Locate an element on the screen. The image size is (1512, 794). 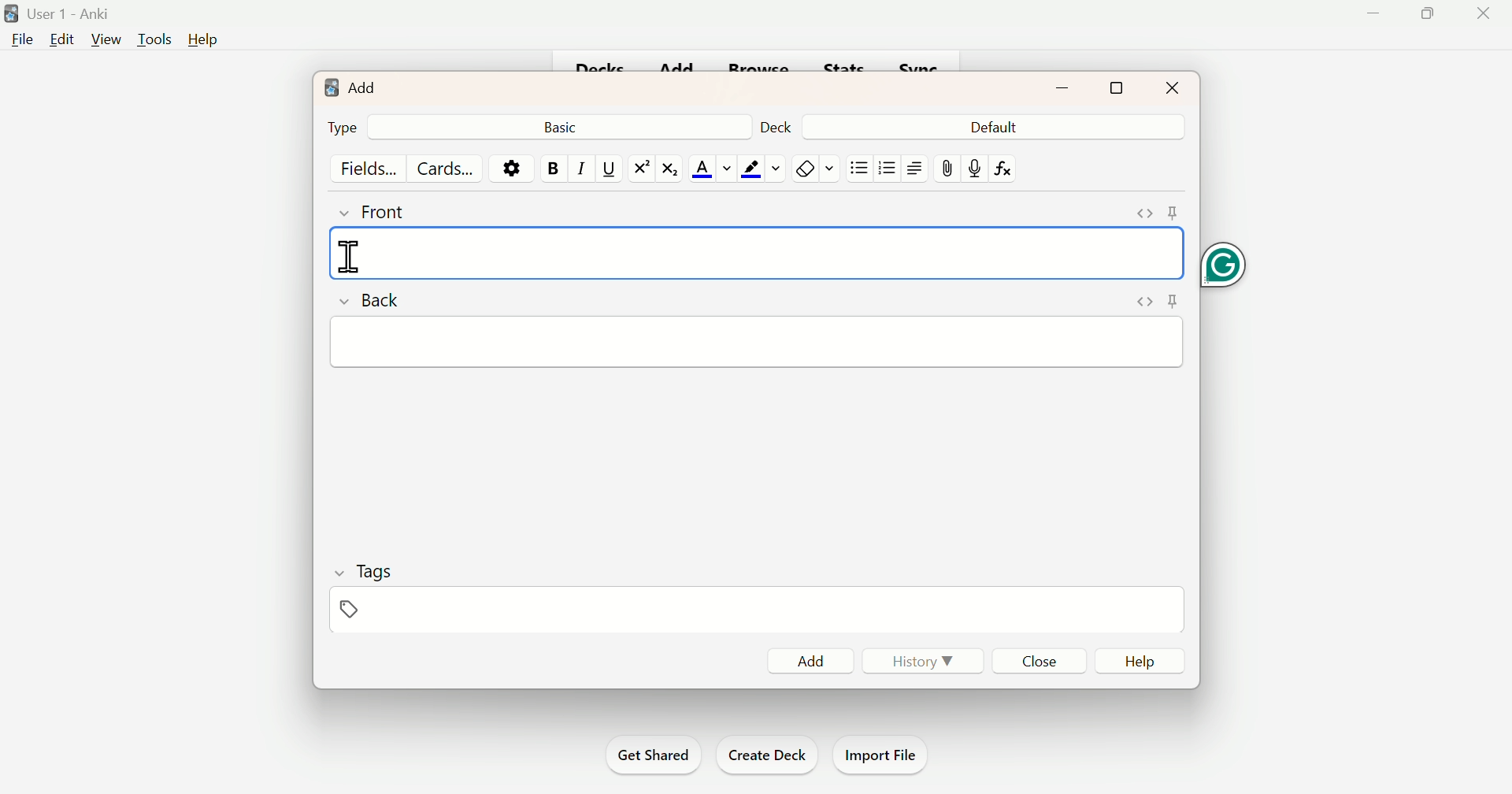
Underline is located at coordinates (607, 169).